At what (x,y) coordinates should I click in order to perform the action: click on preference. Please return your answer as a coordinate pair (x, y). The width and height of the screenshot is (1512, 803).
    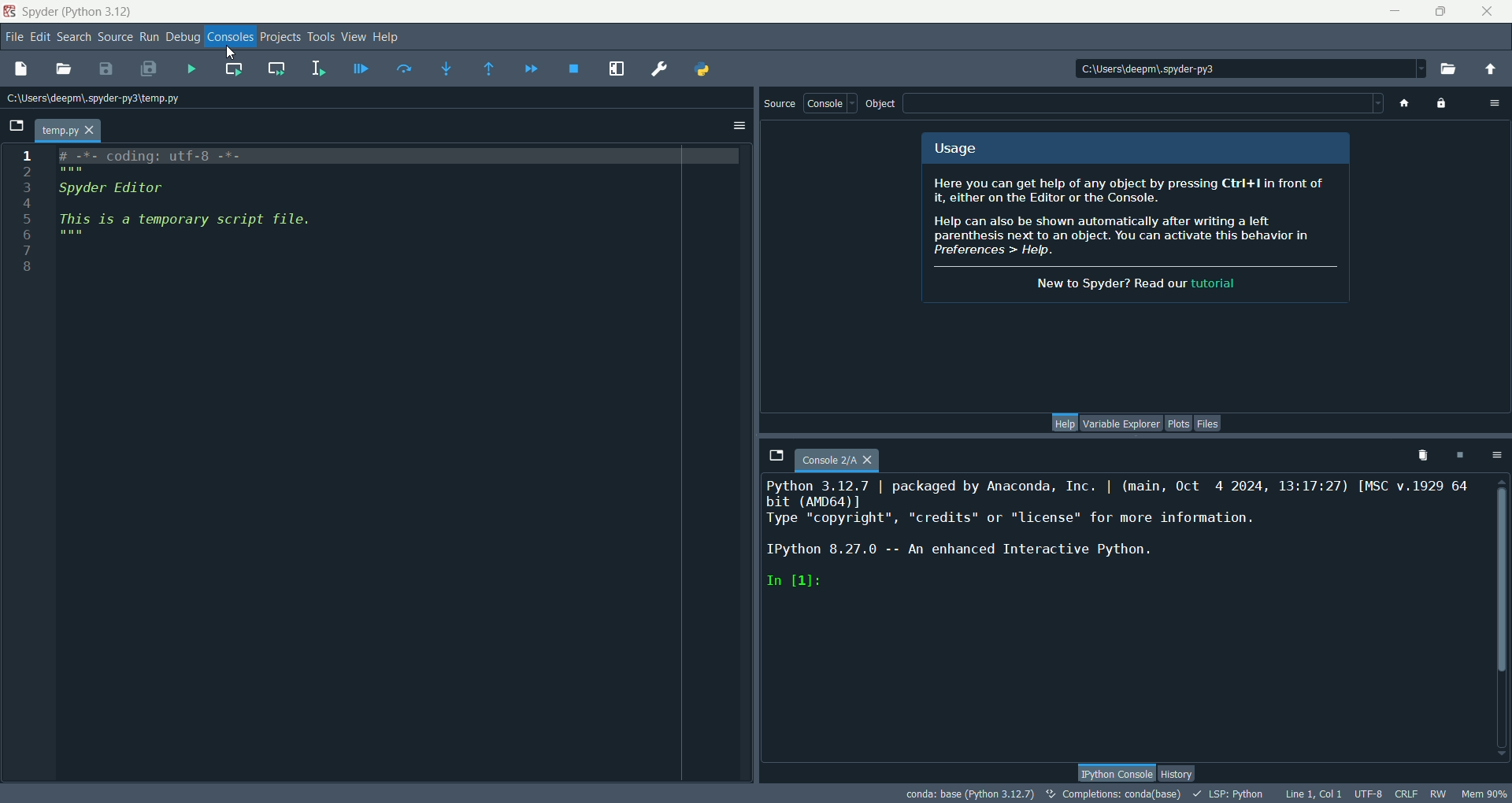
    Looking at the image, I should click on (656, 68).